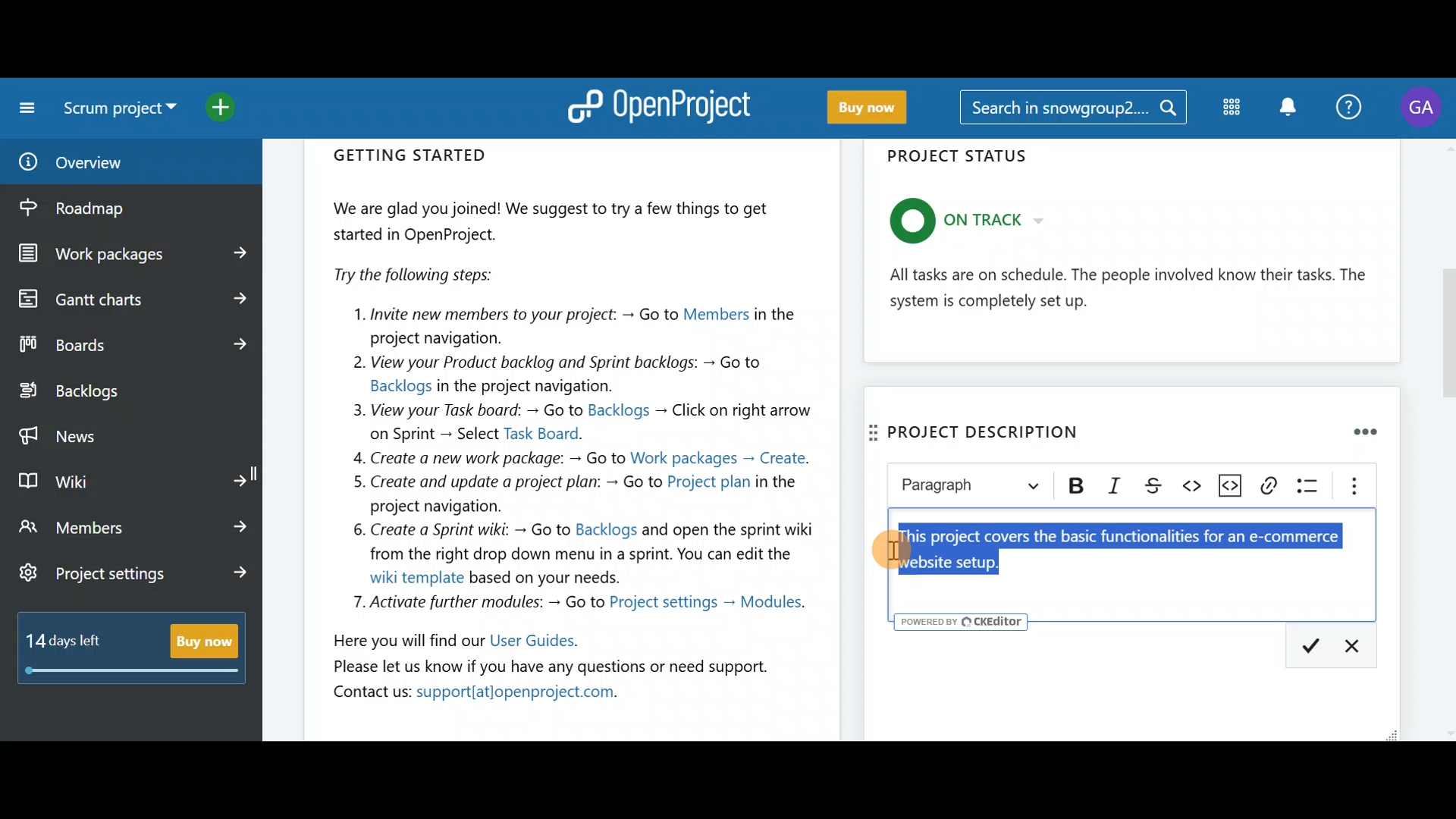  What do you see at coordinates (1273, 492) in the screenshot?
I see `Link` at bounding box center [1273, 492].